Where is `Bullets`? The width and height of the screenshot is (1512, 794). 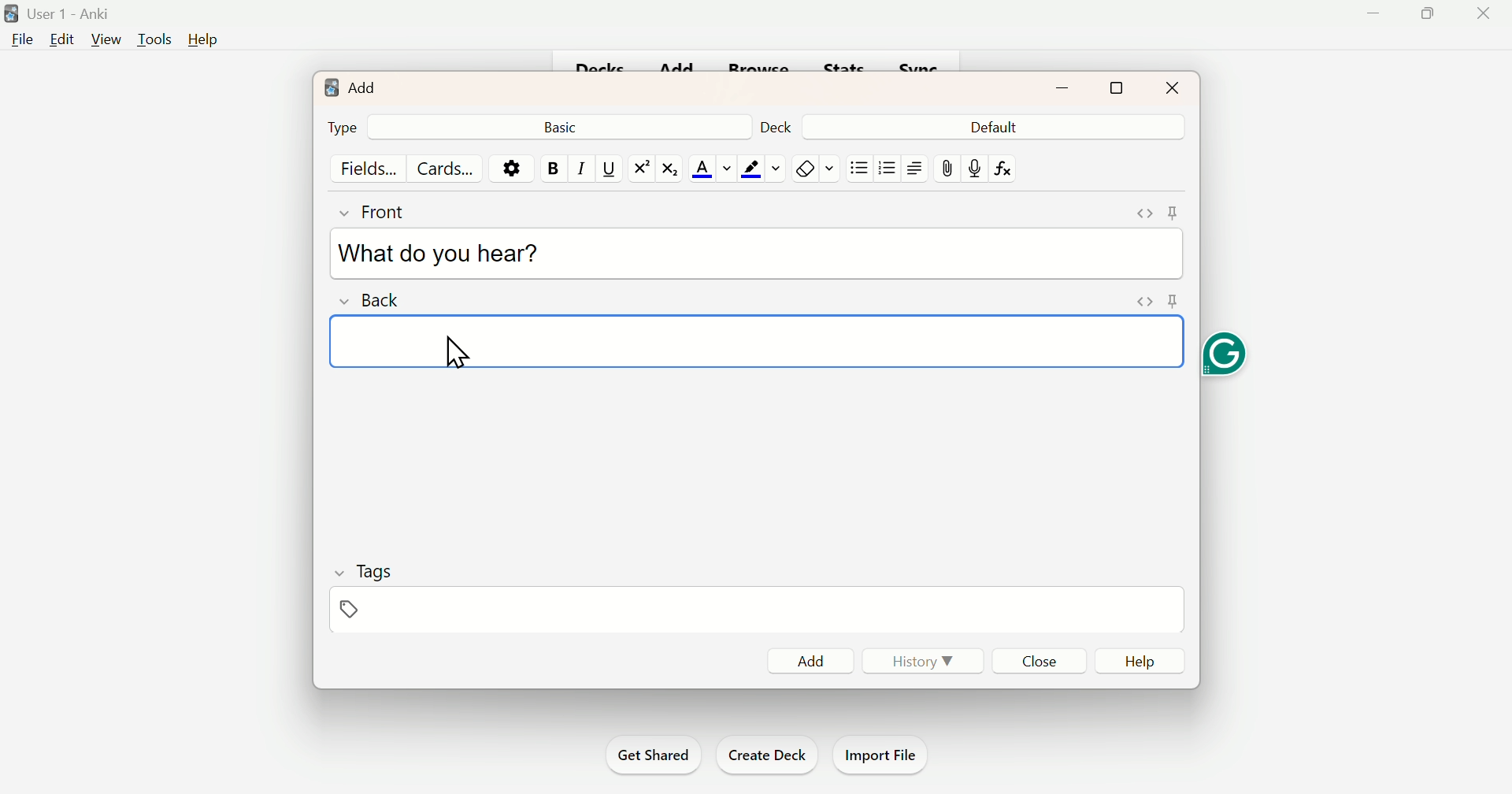 Bullets is located at coordinates (887, 171).